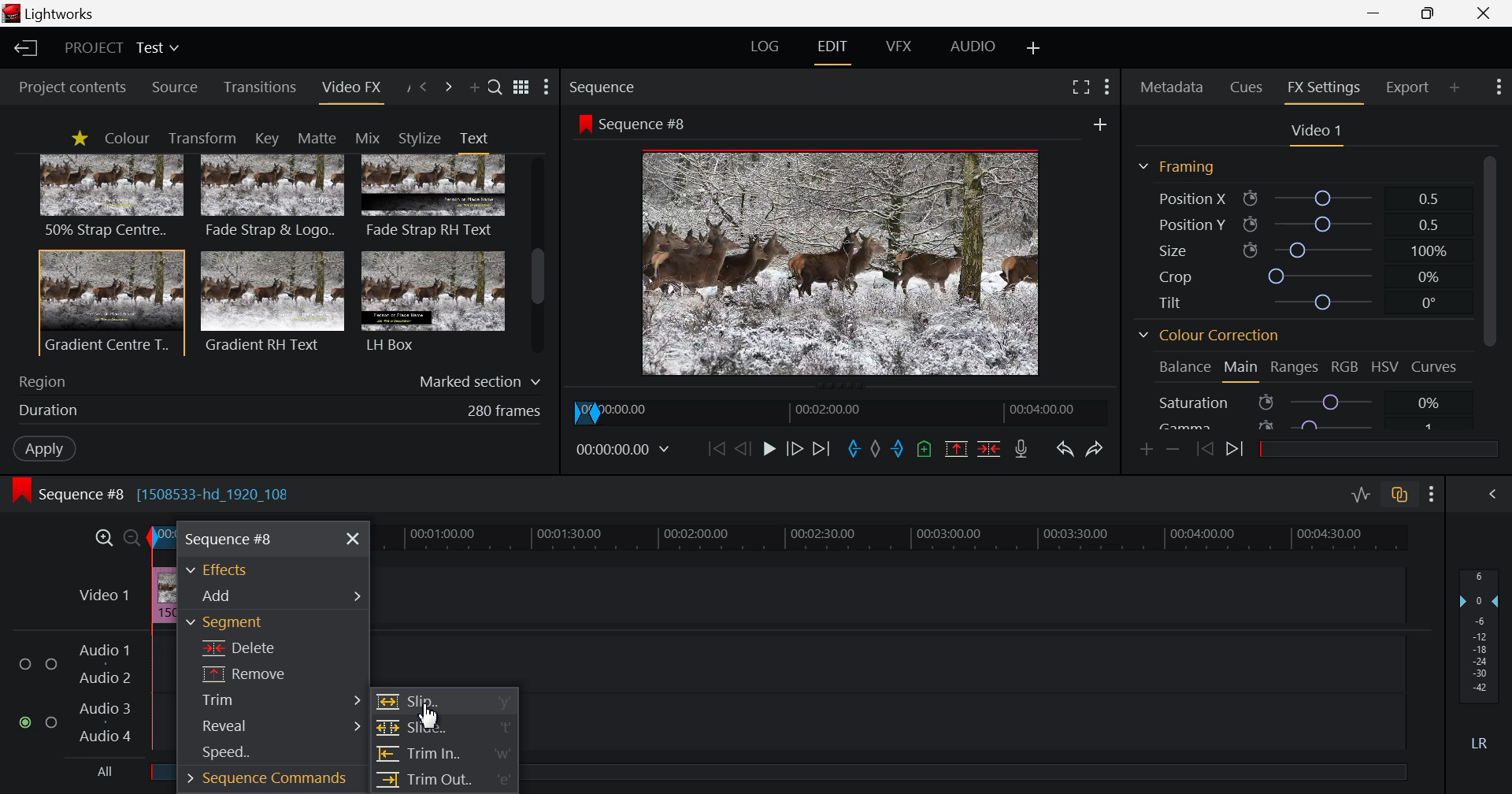  What do you see at coordinates (444, 782) in the screenshot?
I see `Trim Out` at bounding box center [444, 782].